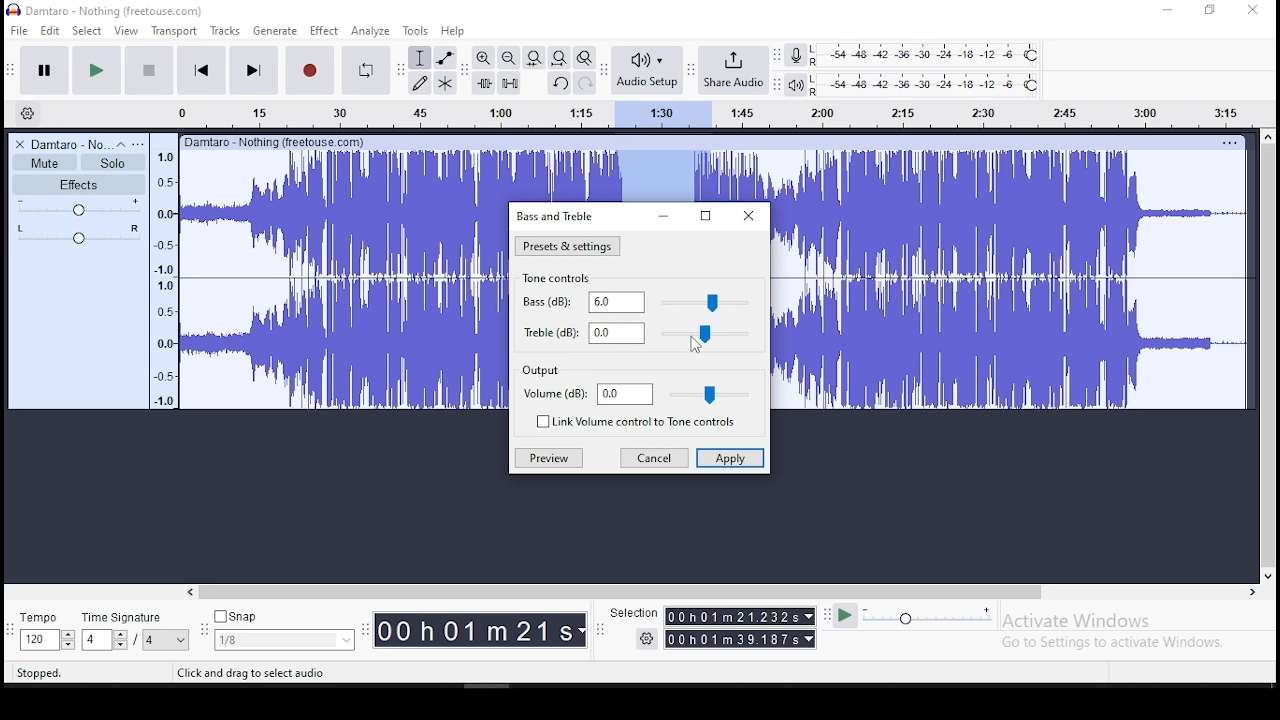  I want to click on 00Oh01m 21.232, so click(731, 616).